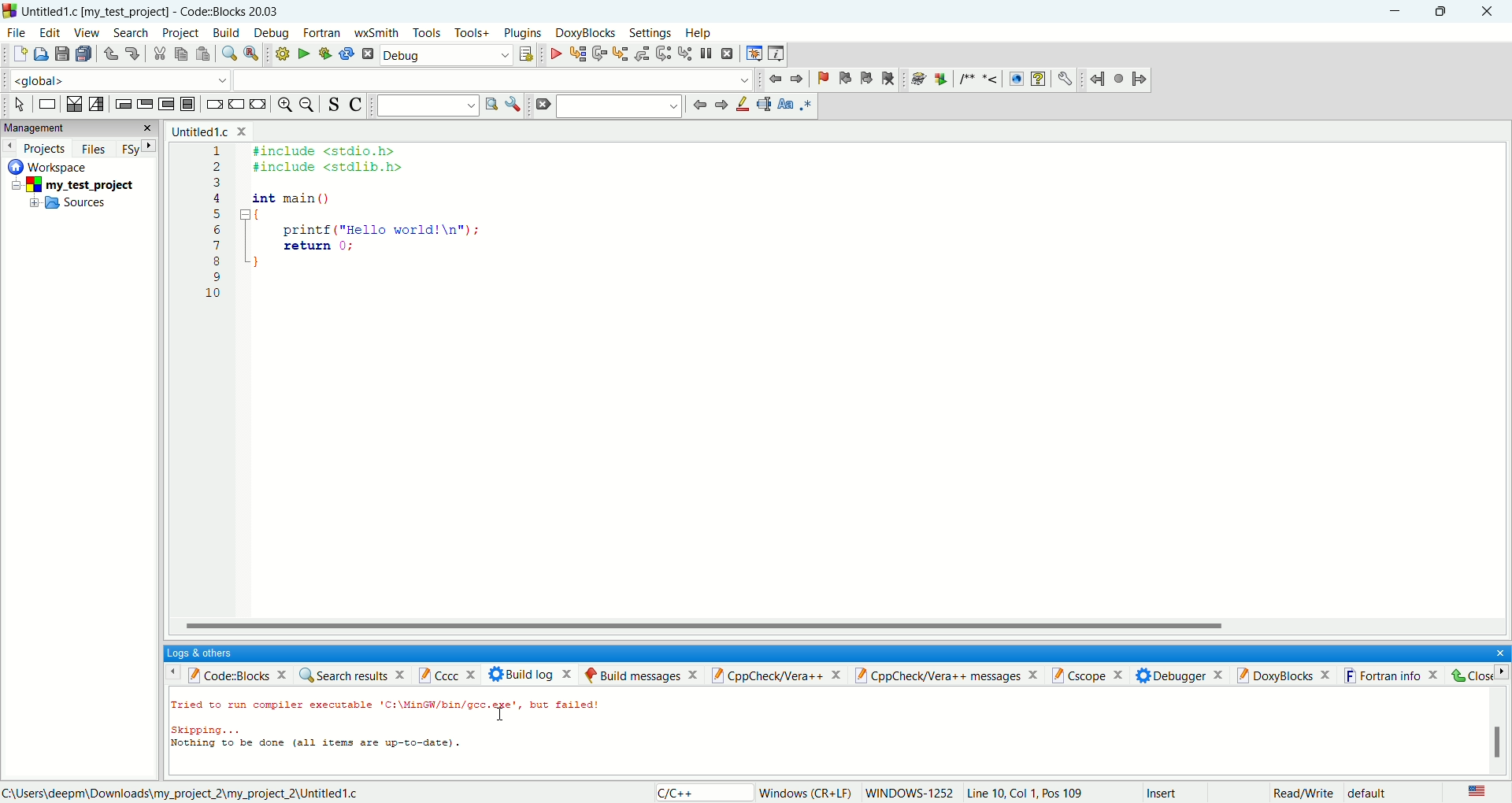 Image resolution: width=1512 pixels, height=803 pixels. I want to click on return instruction, so click(258, 104).